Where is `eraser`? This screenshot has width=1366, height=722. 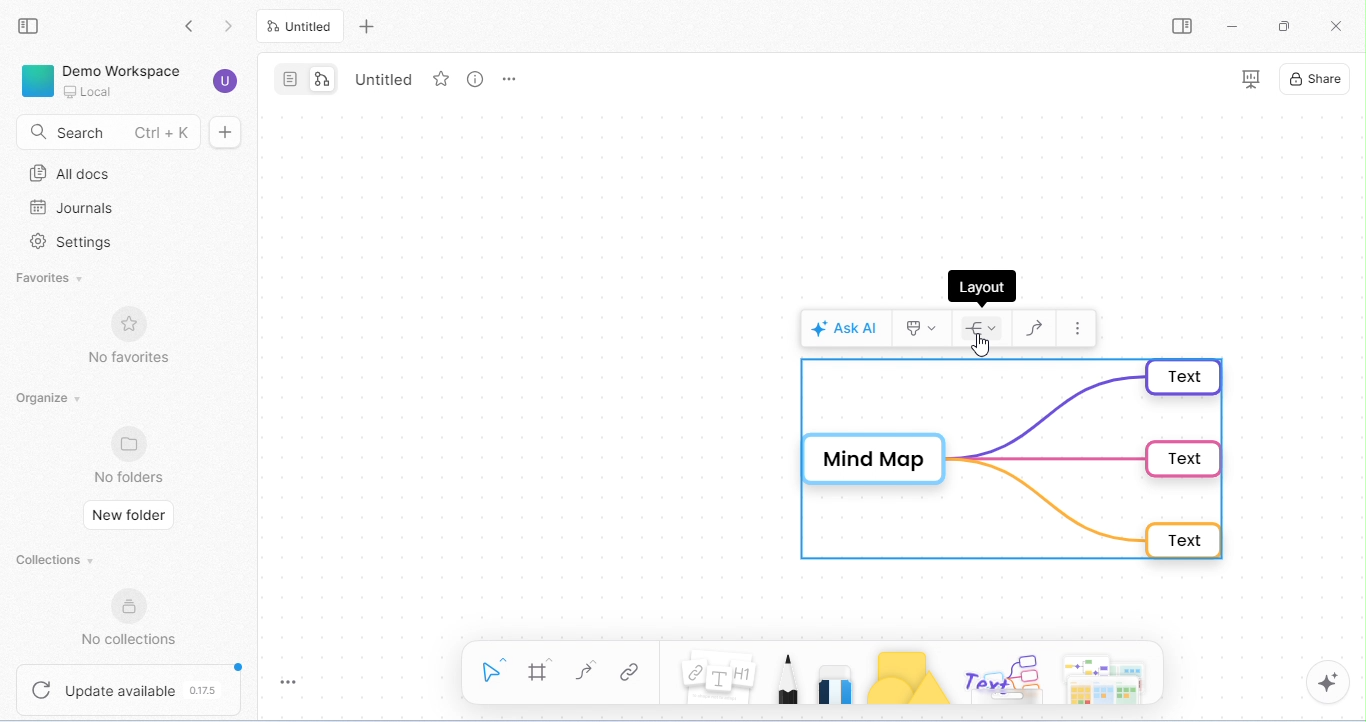 eraser is located at coordinates (836, 679).